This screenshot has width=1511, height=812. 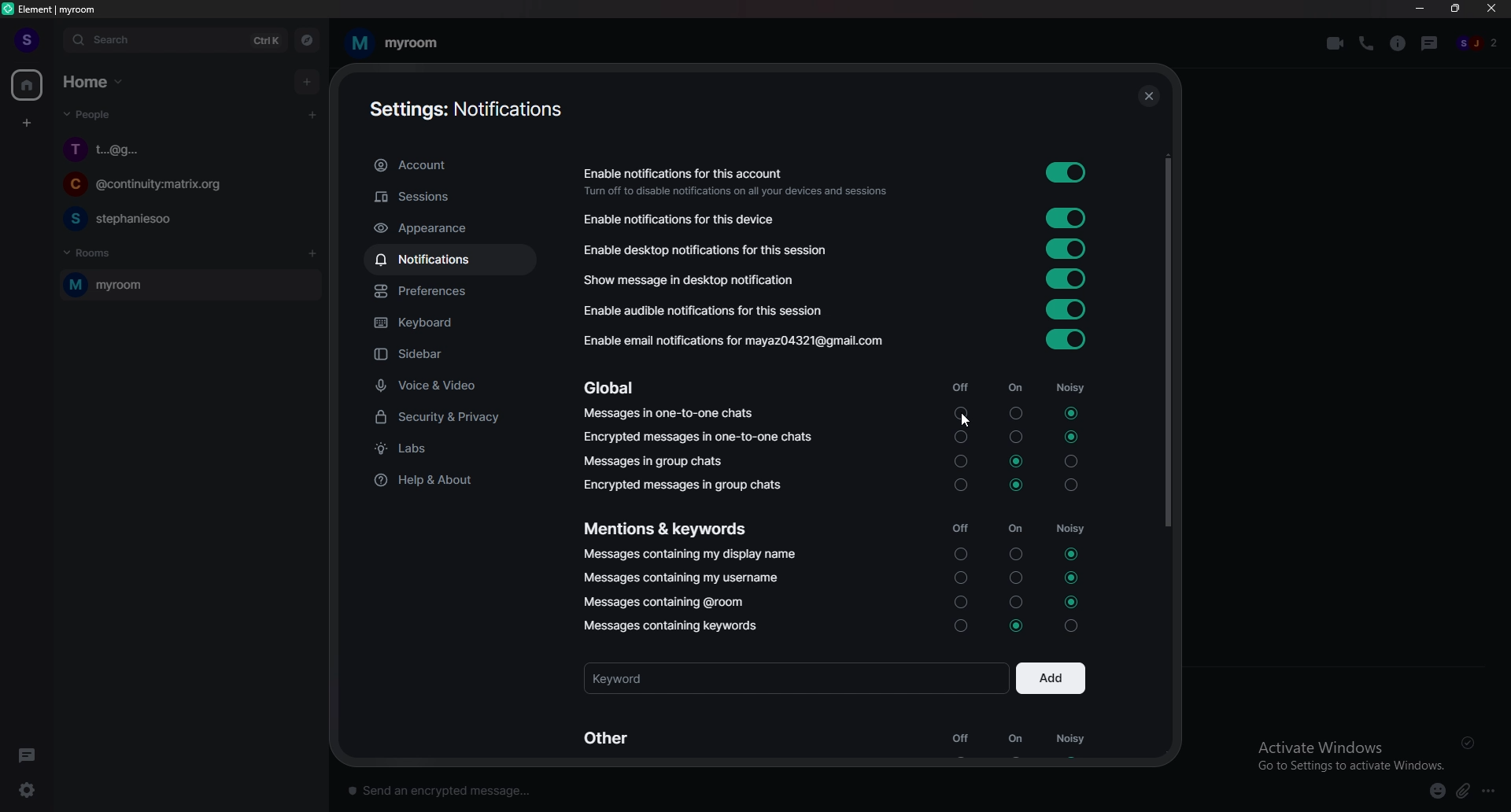 What do you see at coordinates (1482, 43) in the screenshot?
I see `people` at bounding box center [1482, 43].